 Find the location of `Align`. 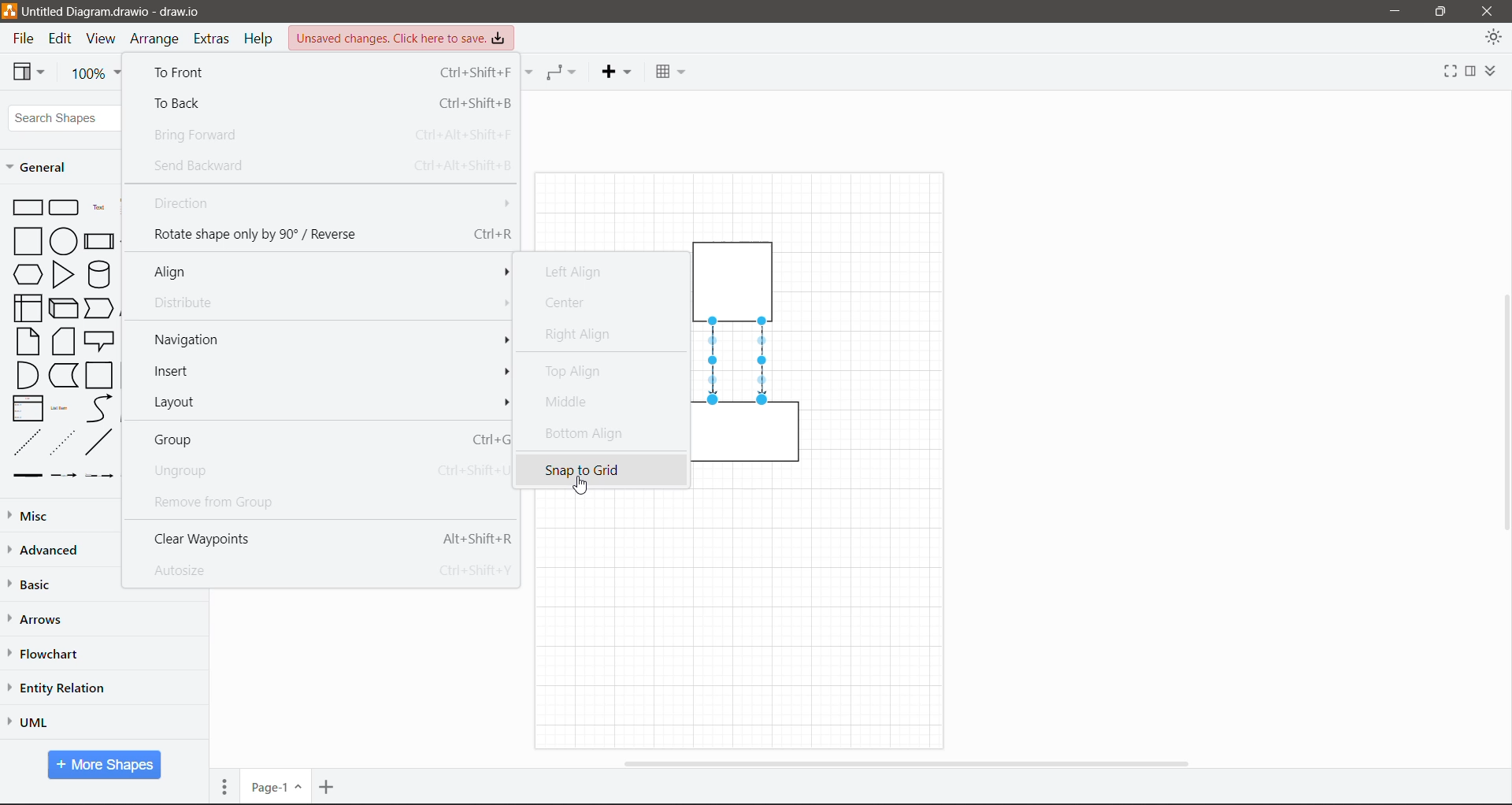

Align is located at coordinates (324, 269).